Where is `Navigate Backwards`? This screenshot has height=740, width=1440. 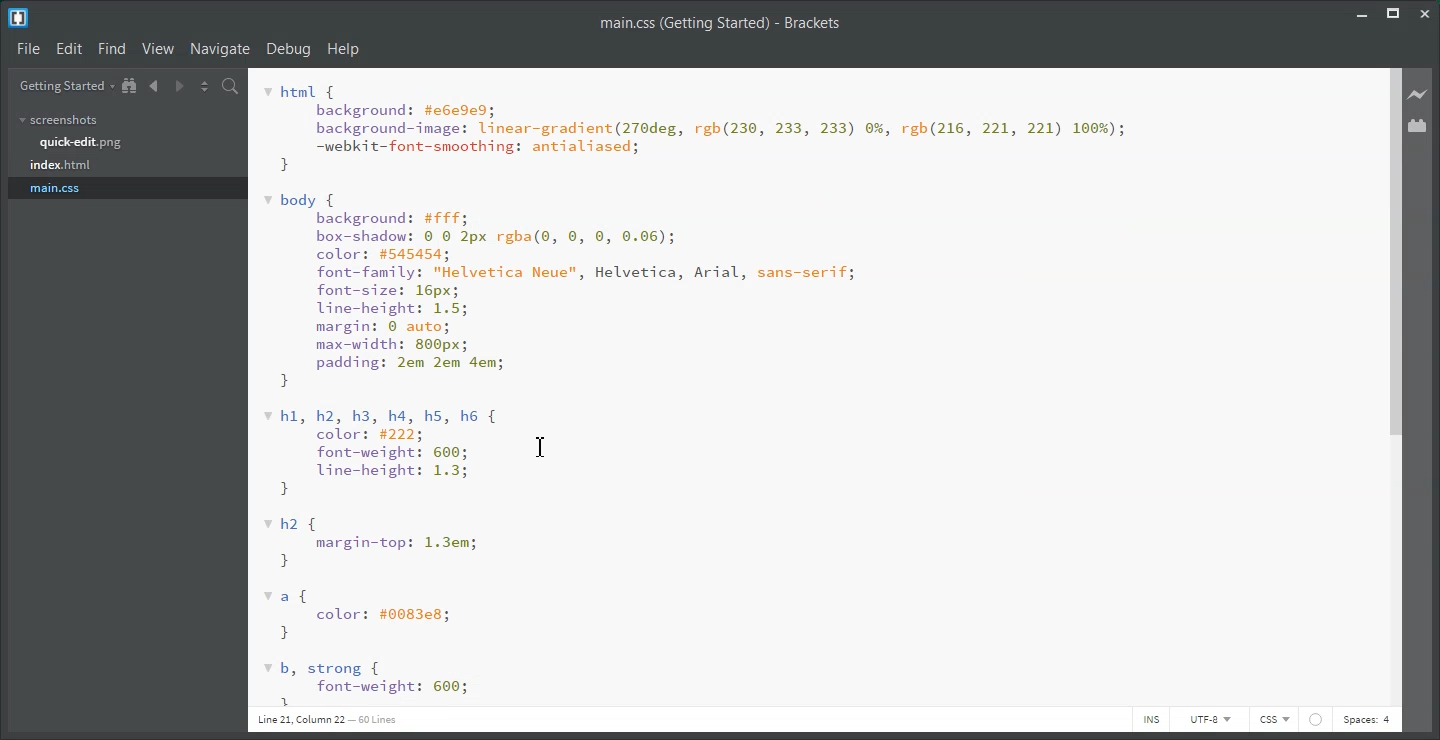 Navigate Backwards is located at coordinates (154, 86).